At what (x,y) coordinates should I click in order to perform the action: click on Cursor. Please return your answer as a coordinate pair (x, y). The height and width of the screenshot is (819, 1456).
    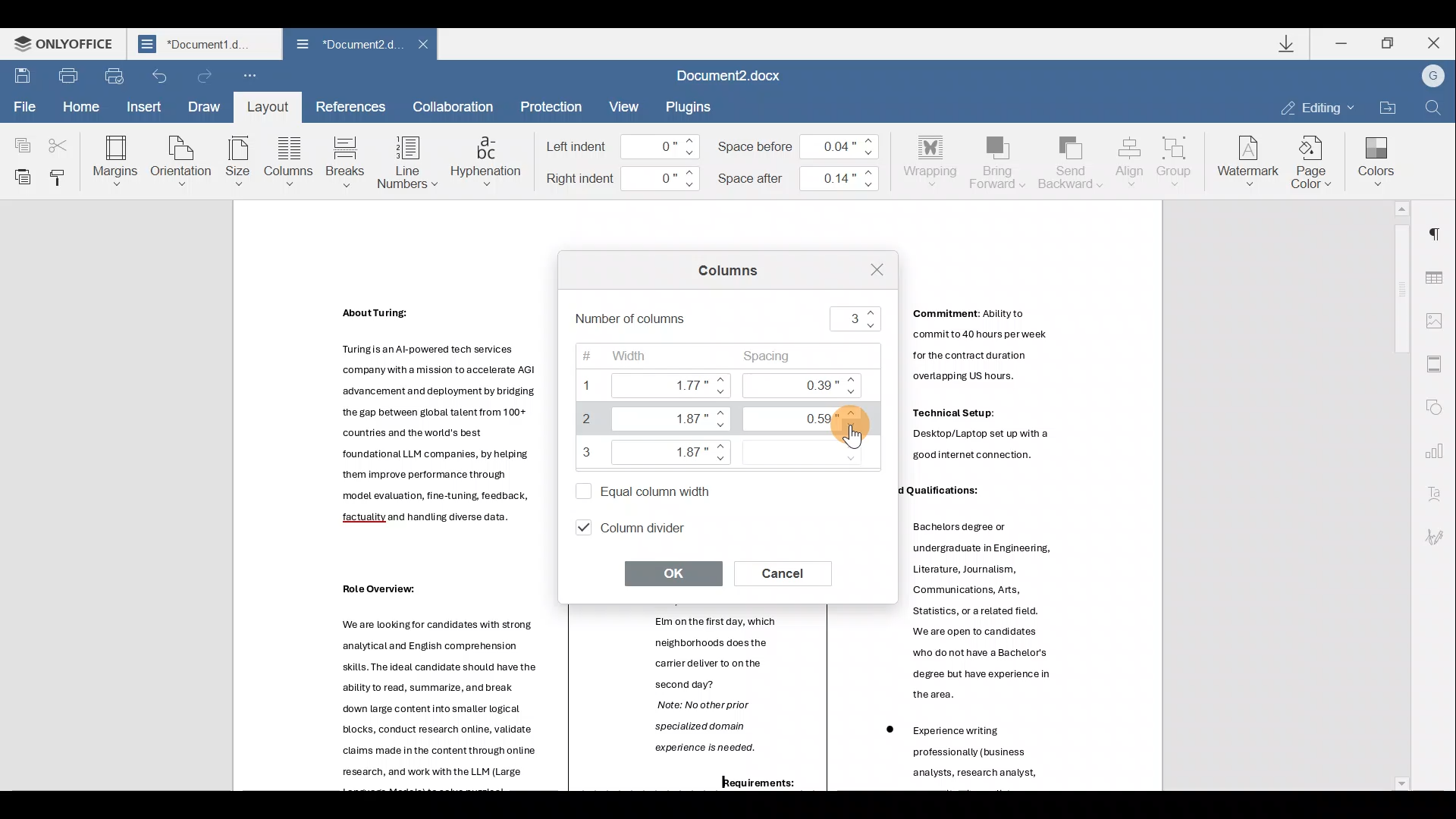
    Looking at the image, I should click on (295, 196).